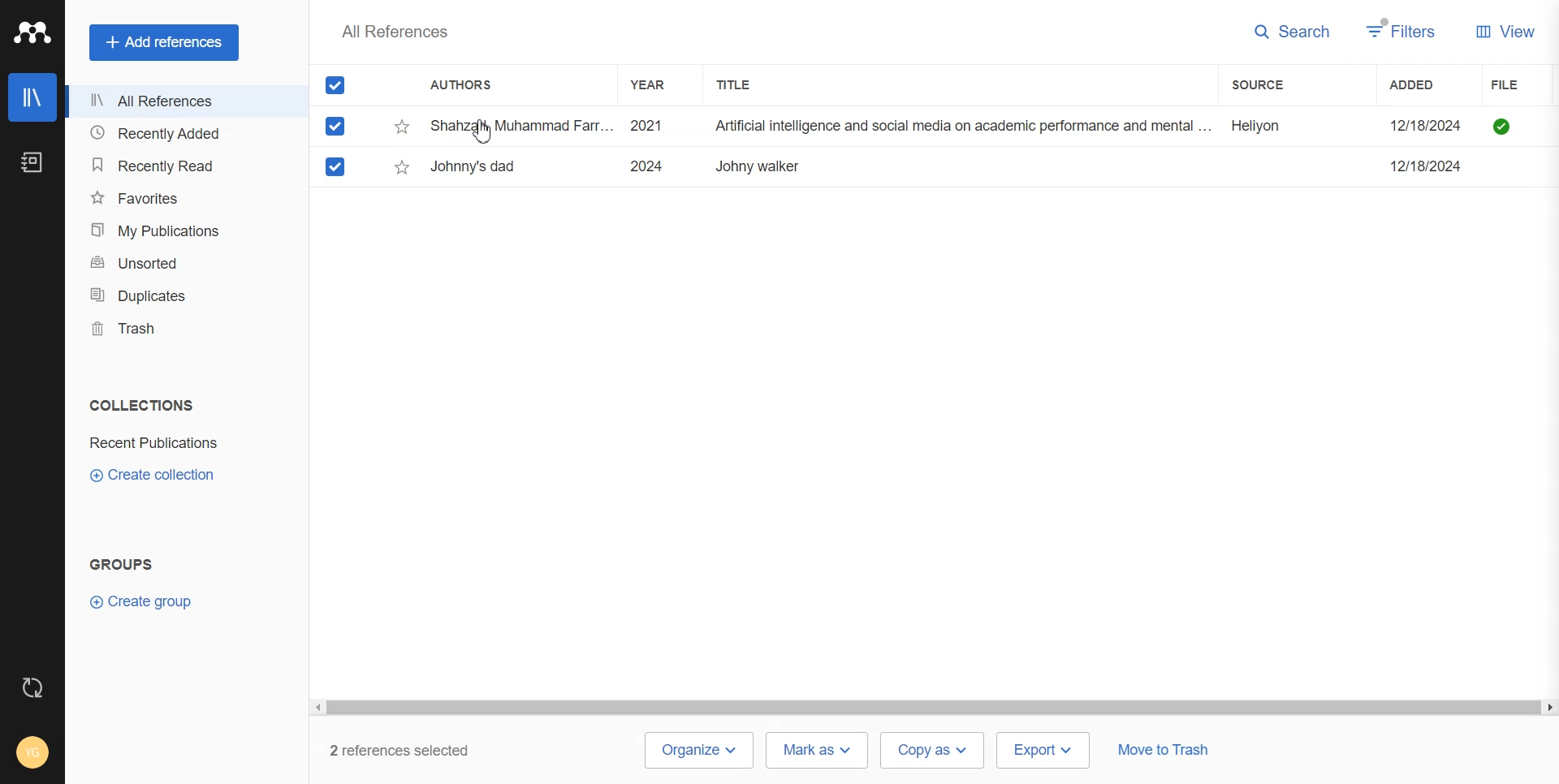 The image size is (1559, 784). Describe the element at coordinates (317, 708) in the screenshot. I see `scroll left` at that location.